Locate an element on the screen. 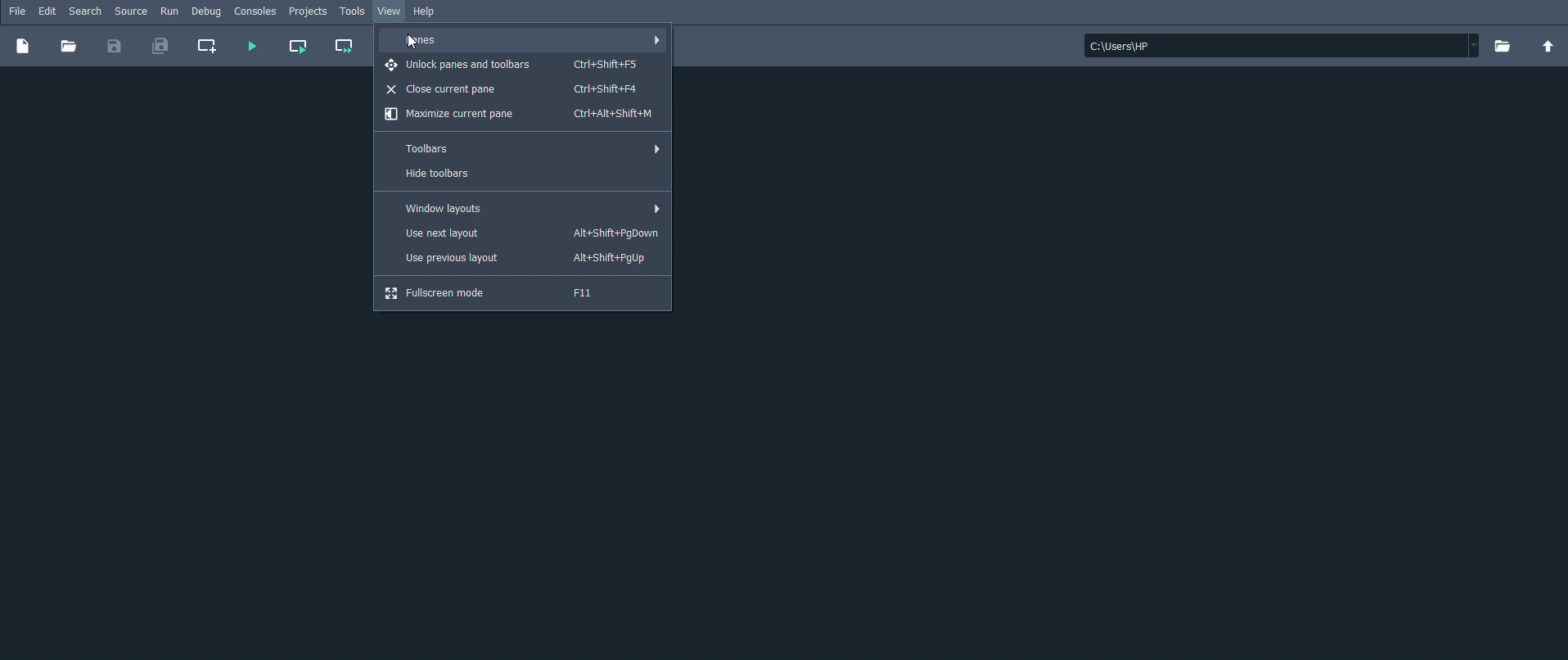 This screenshot has height=660, width=1568. Panes is located at coordinates (526, 40).